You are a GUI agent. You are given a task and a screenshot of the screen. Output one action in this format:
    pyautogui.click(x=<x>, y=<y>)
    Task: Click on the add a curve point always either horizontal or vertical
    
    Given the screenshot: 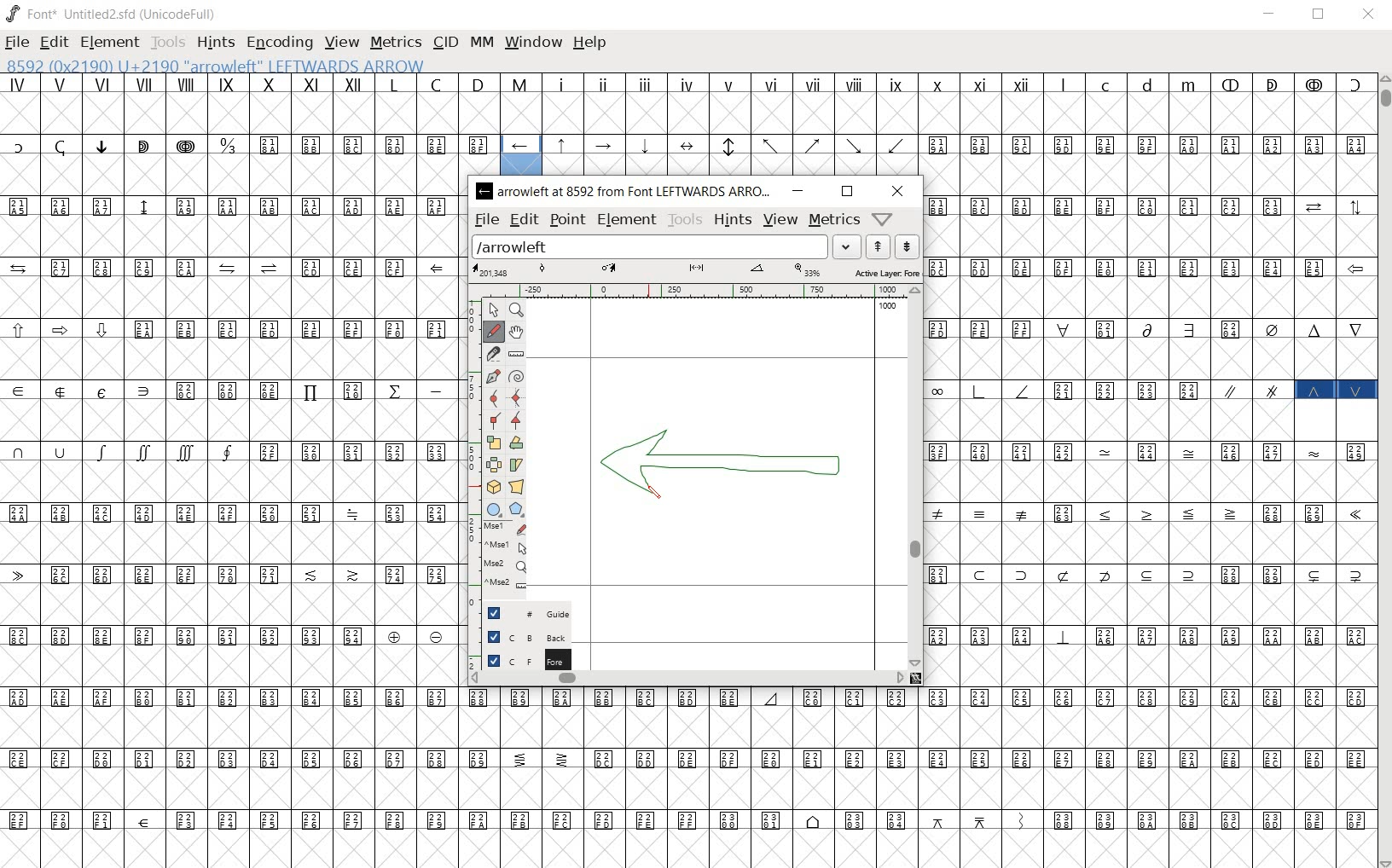 What is the action you would take?
    pyautogui.click(x=517, y=396)
    